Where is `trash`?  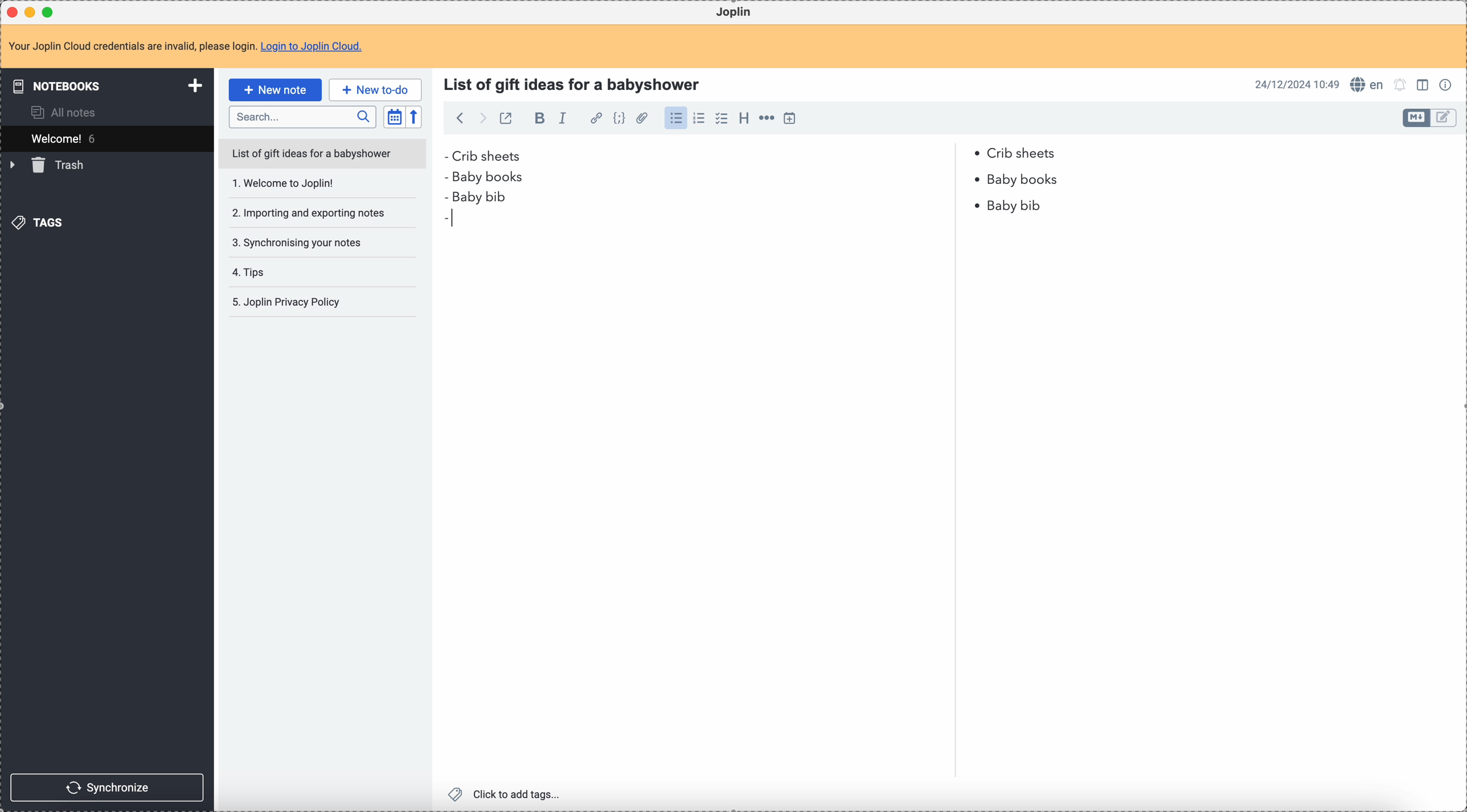
trash is located at coordinates (50, 166).